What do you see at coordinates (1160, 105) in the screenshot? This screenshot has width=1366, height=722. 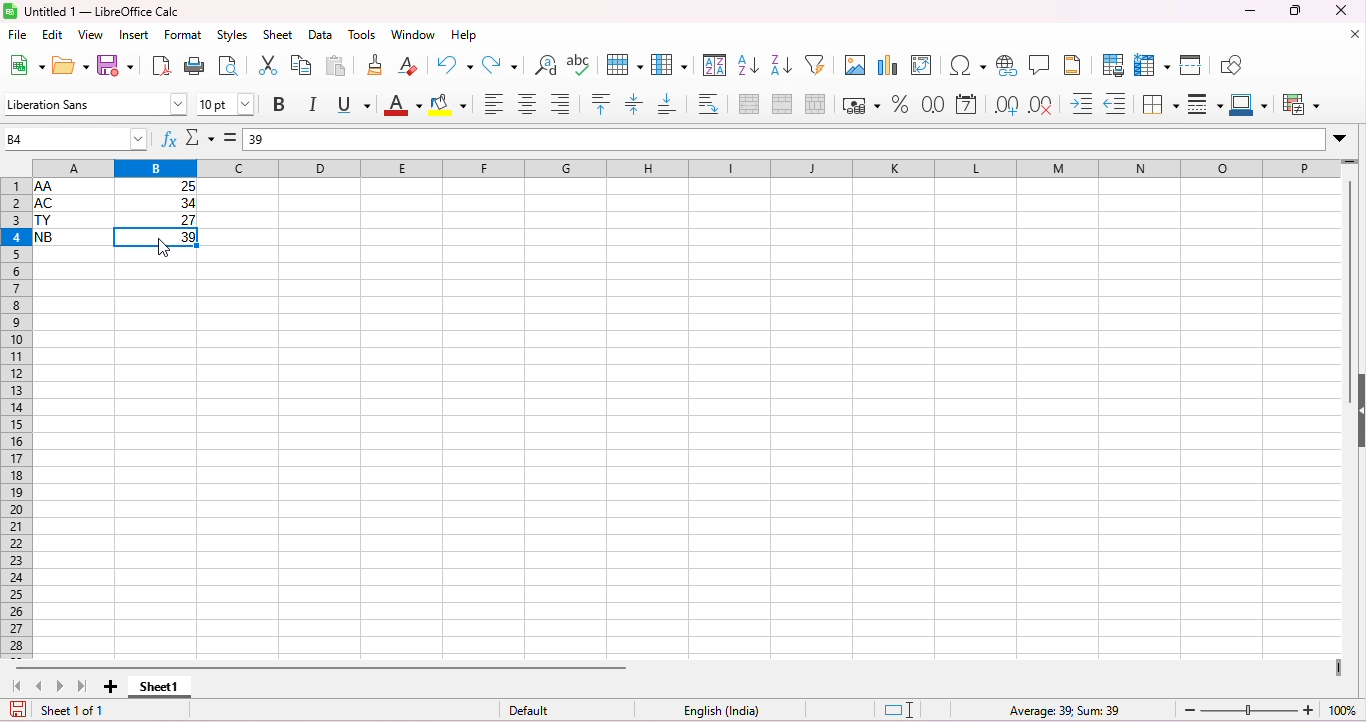 I see `border` at bounding box center [1160, 105].